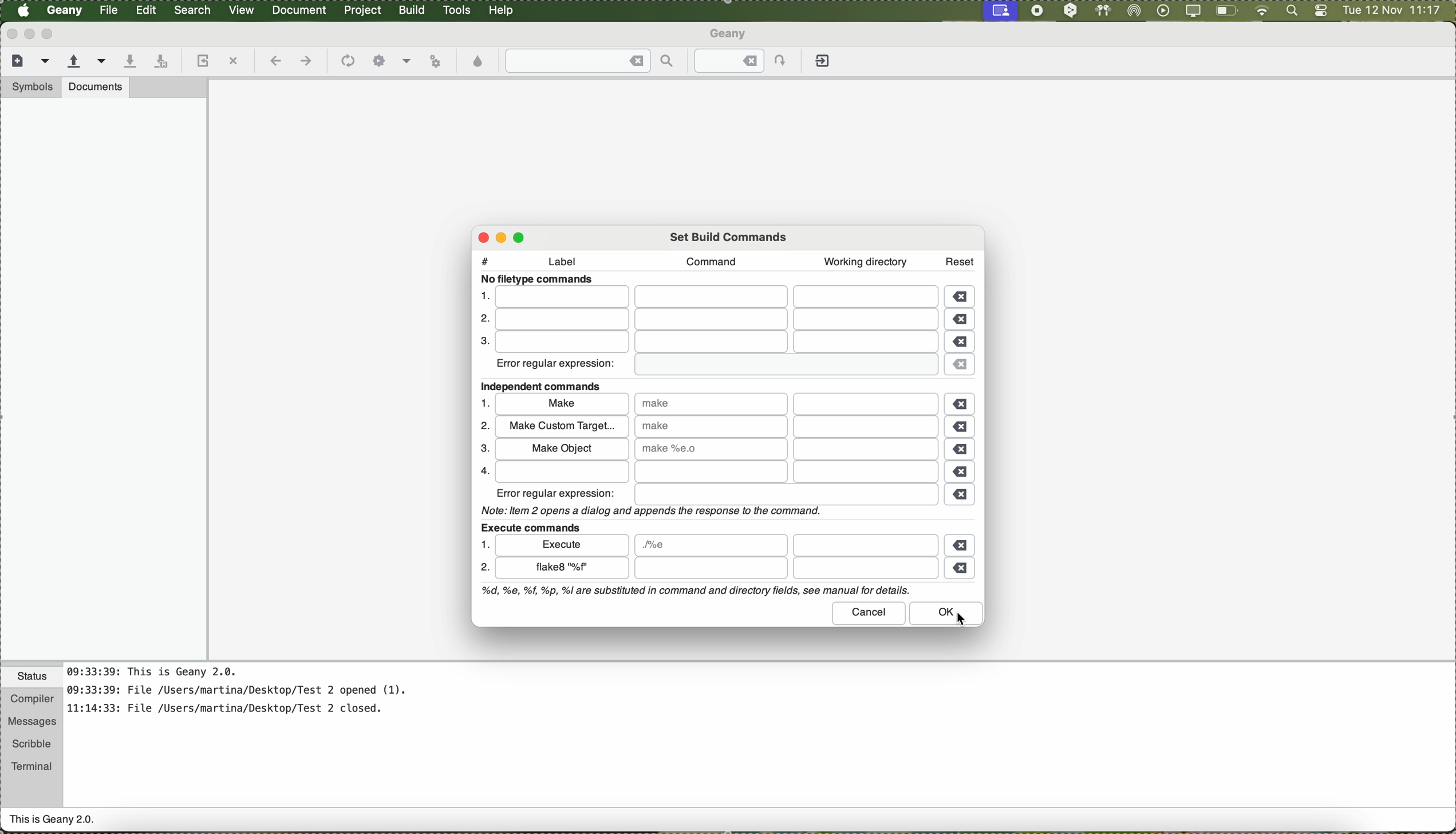  What do you see at coordinates (145, 9) in the screenshot?
I see `edit` at bounding box center [145, 9].